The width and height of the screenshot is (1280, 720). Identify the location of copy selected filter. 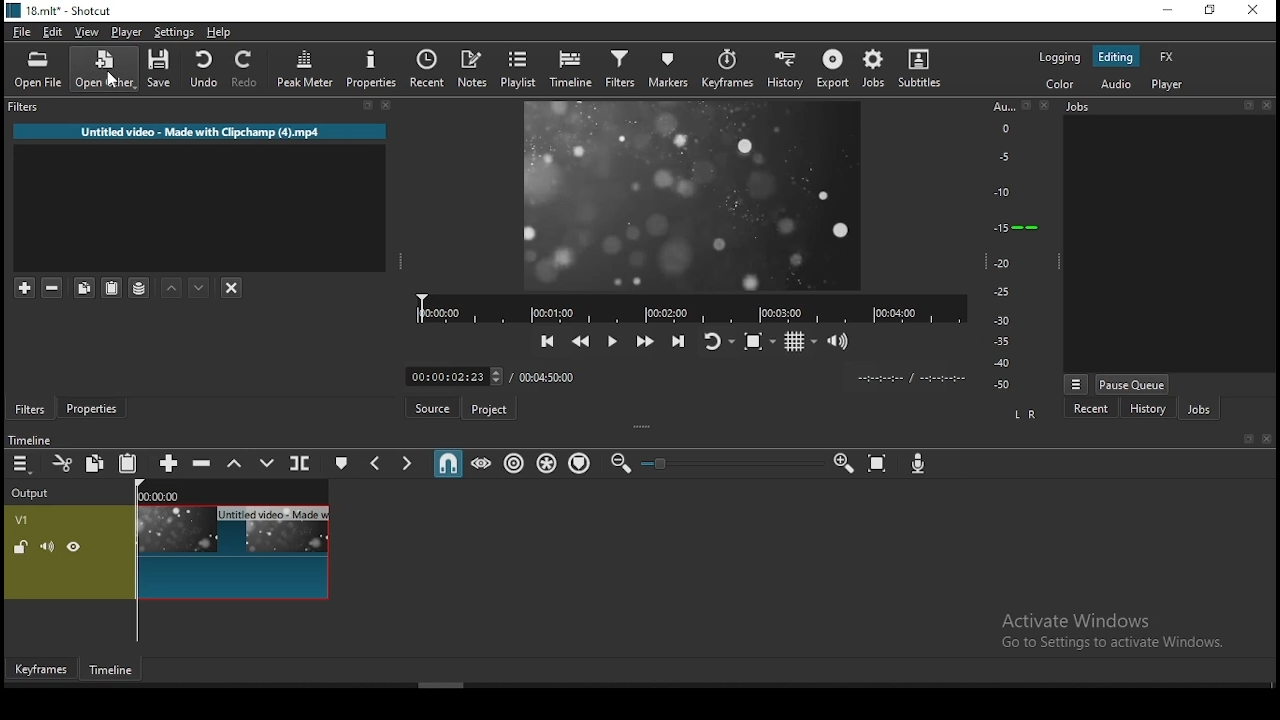
(82, 287).